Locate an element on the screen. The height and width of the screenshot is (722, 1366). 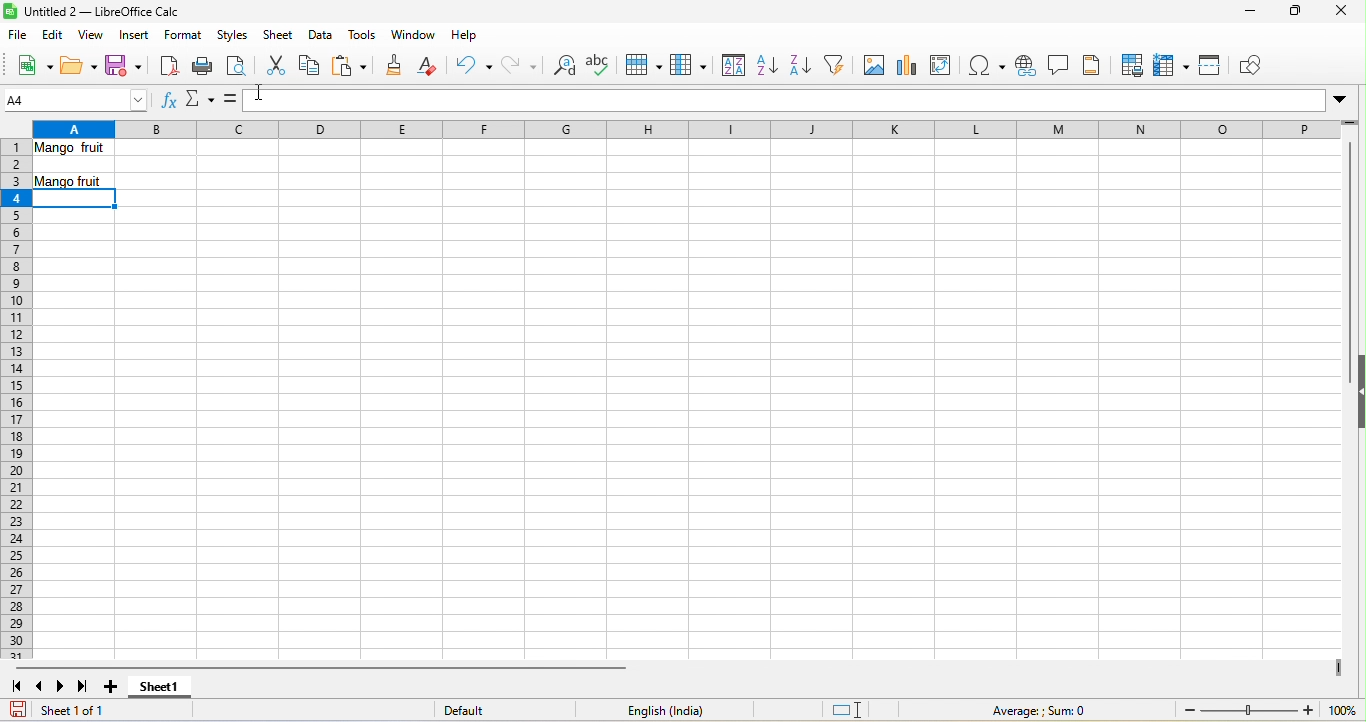
zoom is located at coordinates (1270, 711).